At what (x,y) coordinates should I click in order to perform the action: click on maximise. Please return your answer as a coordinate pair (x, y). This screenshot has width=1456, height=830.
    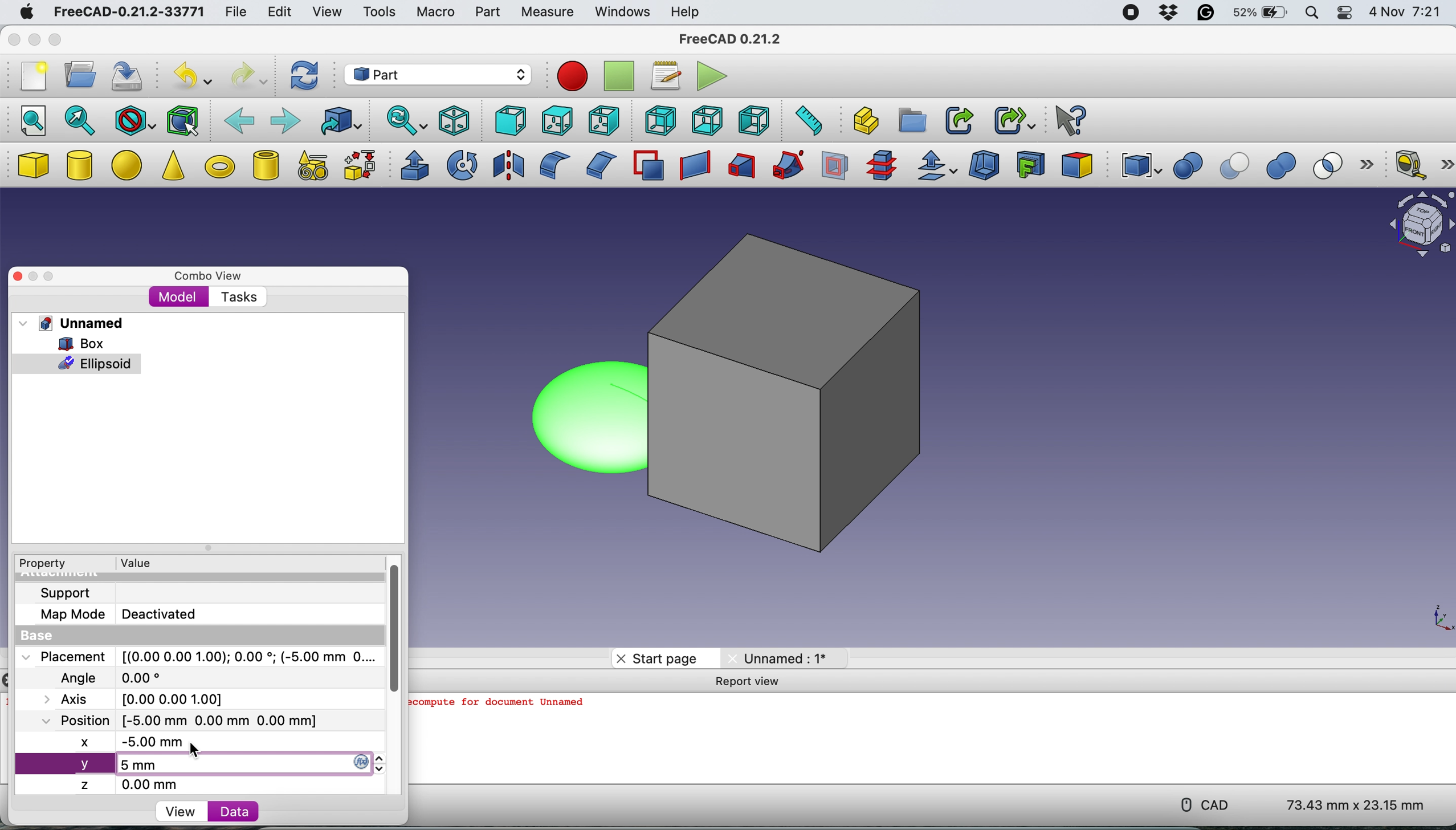
    Looking at the image, I should click on (55, 40).